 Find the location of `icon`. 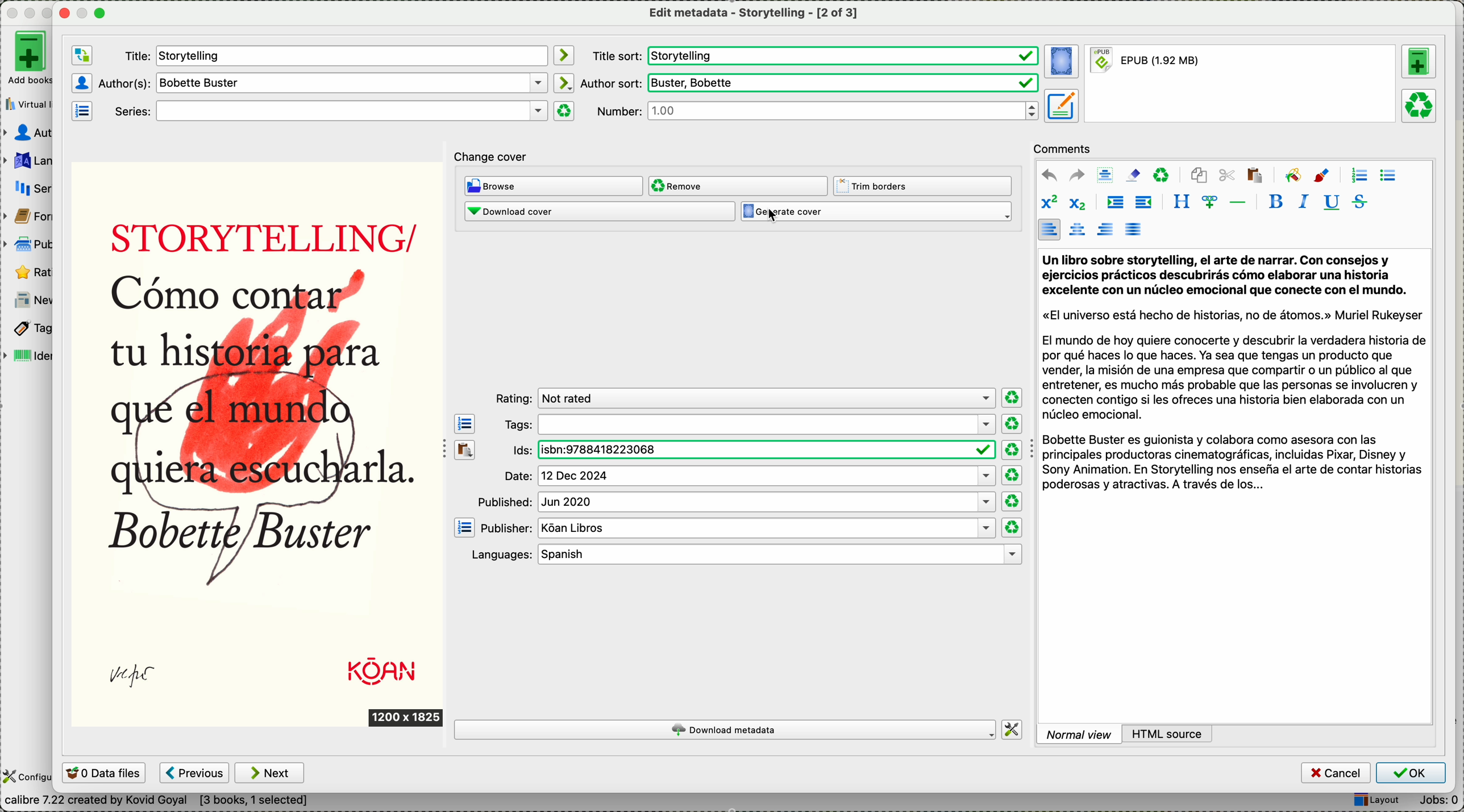

icon is located at coordinates (1292, 174).